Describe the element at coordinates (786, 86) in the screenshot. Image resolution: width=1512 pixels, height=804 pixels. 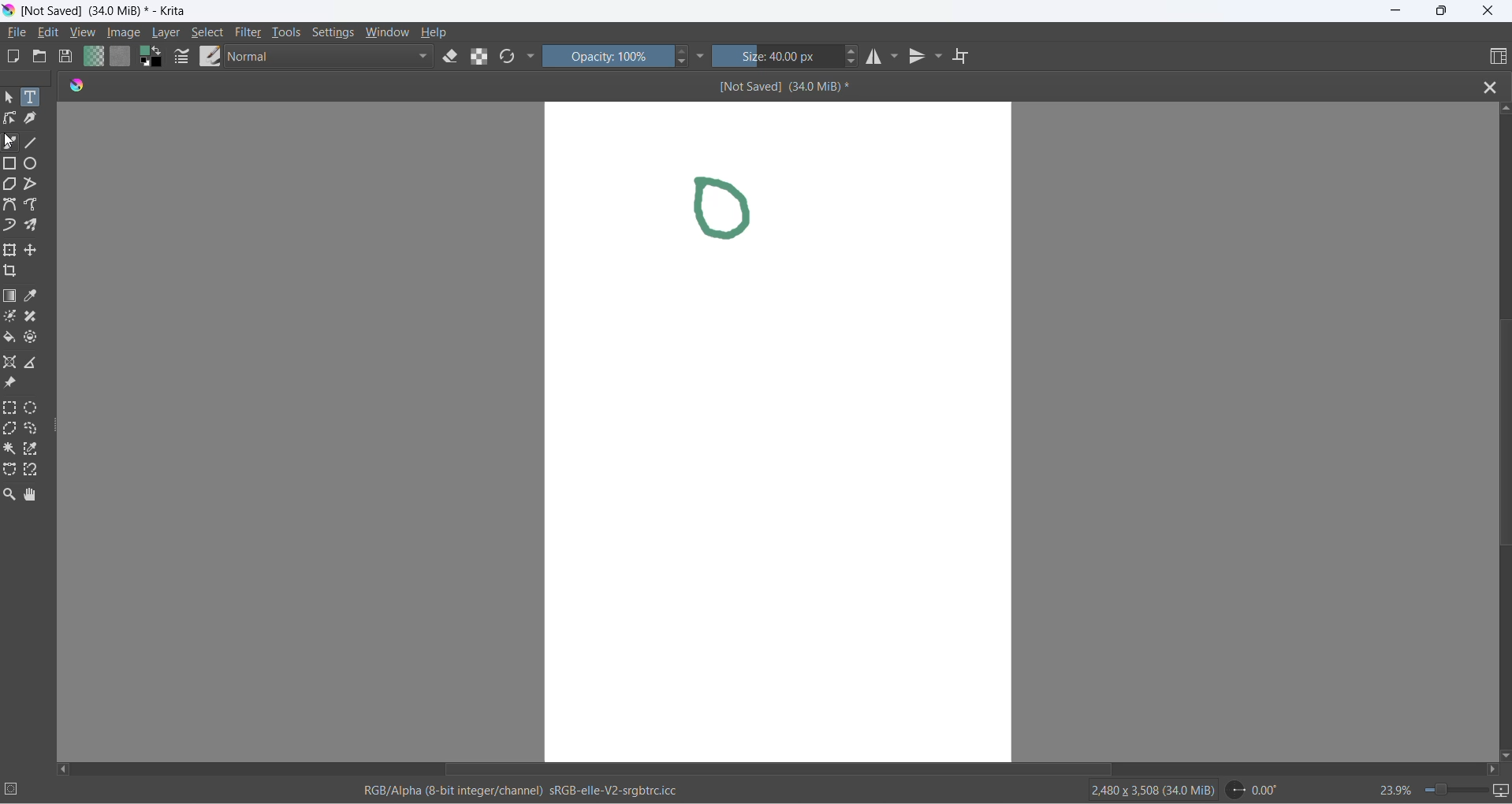
I see `[Not Saved] (340 MiB)*` at that location.